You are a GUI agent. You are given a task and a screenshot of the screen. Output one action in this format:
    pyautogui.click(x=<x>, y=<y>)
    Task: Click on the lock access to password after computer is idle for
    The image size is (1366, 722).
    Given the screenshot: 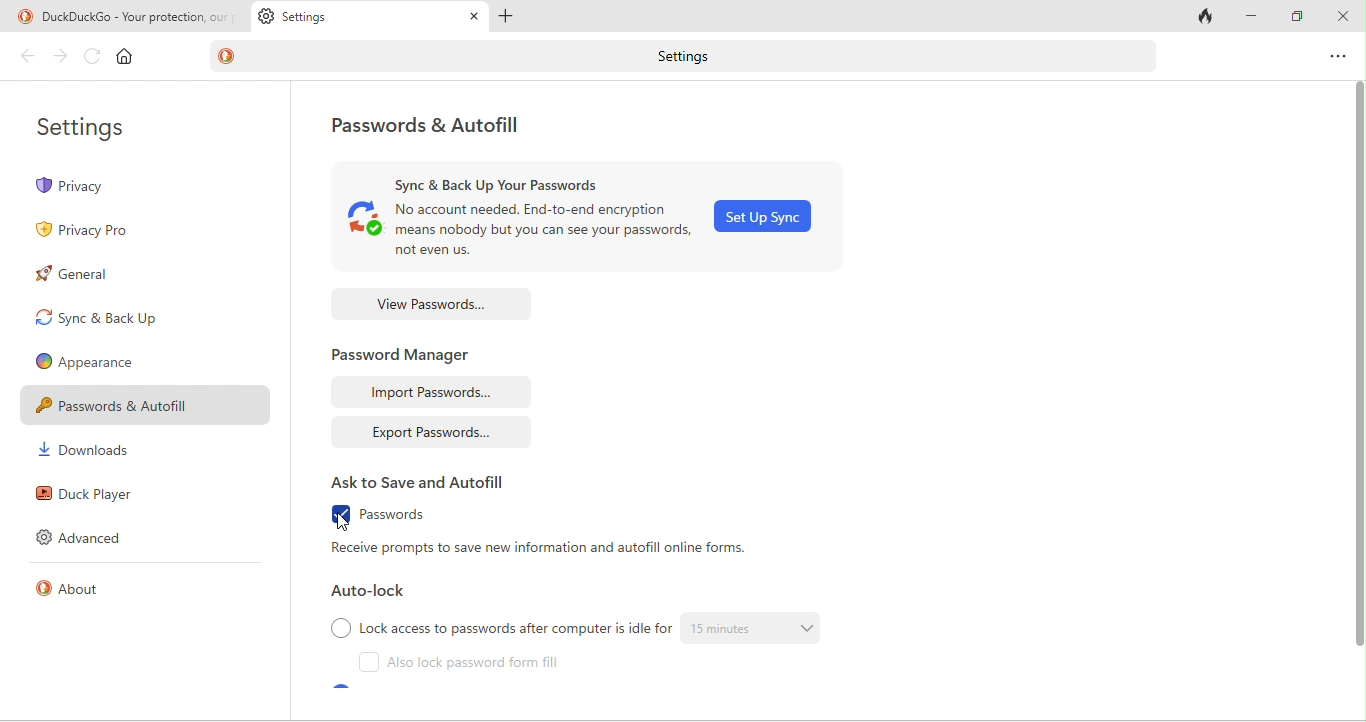 What is the action you would take?
    pyautogui.click(x=516, y=628)
    